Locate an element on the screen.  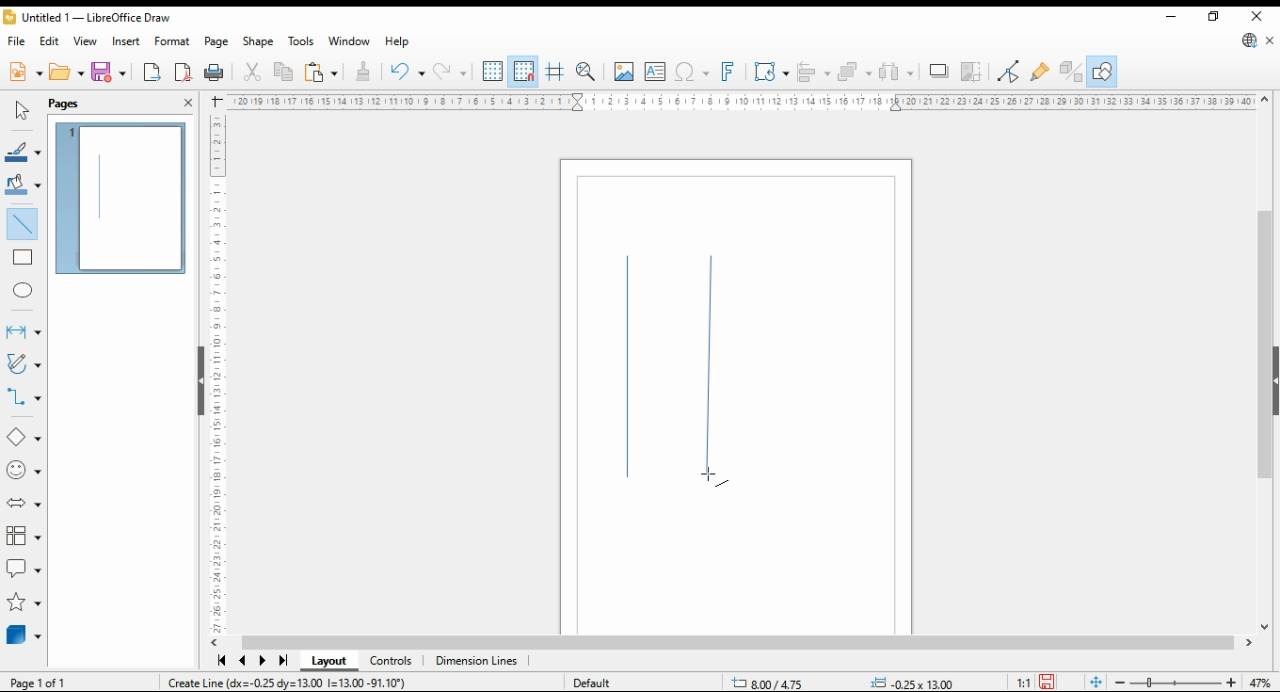
minimize is located at coordinates (1172, 17).